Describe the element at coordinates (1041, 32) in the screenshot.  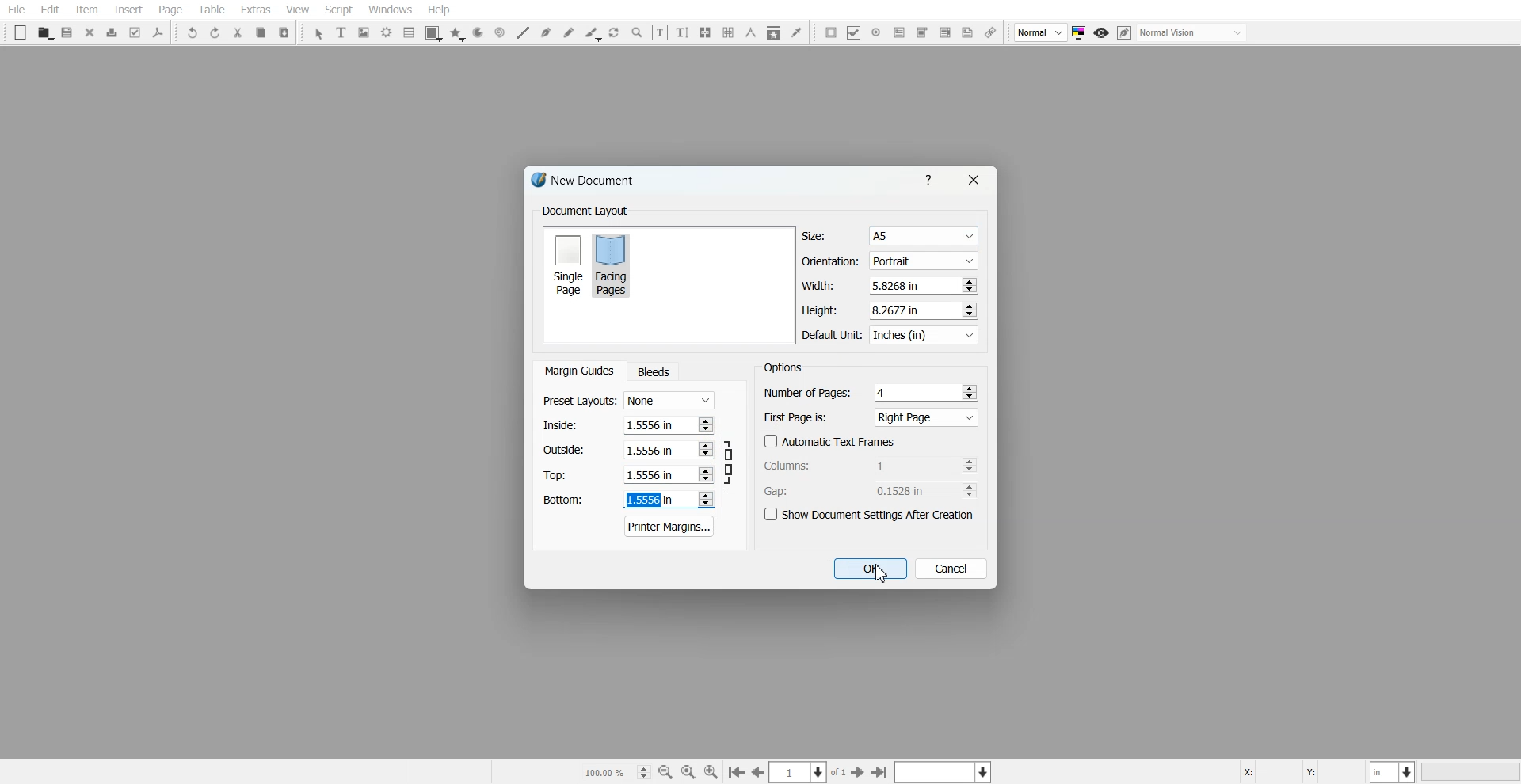
I see `Select image preview Quality` at that location.